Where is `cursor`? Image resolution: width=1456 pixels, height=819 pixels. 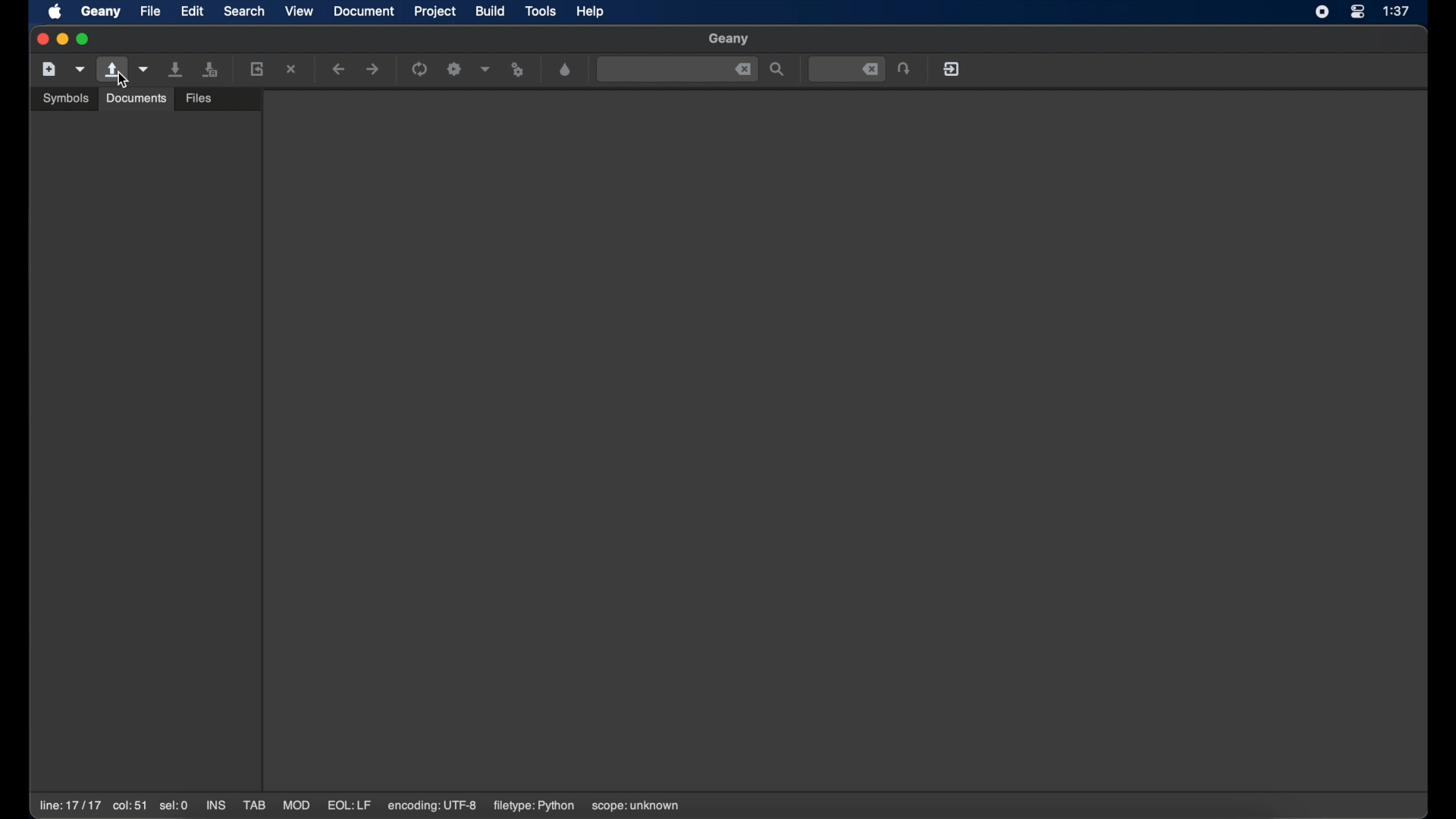
cursor is located at coordinates (121, 80).